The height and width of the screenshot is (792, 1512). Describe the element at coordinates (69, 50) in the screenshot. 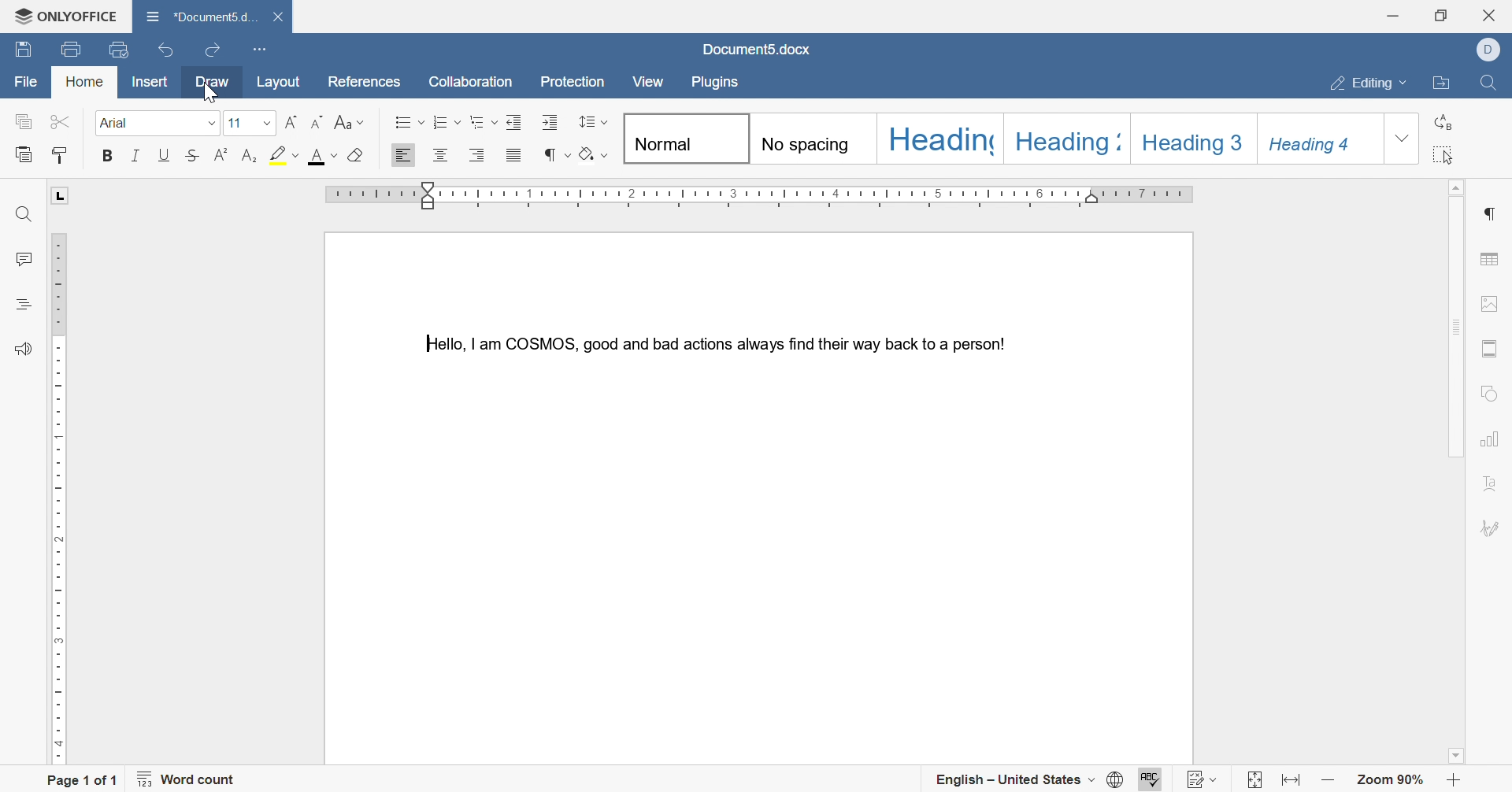

I see `print` at that location.